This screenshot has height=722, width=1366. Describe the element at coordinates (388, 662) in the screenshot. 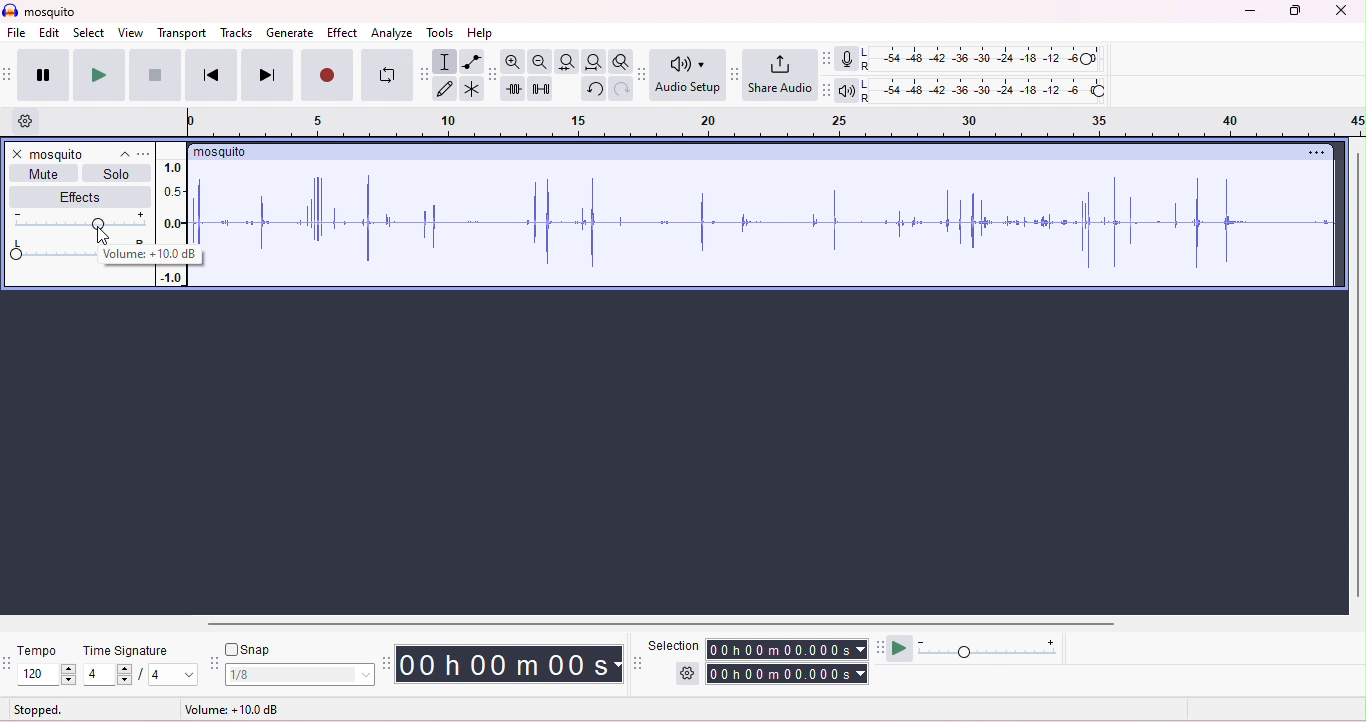

I see `time tool` at that location.